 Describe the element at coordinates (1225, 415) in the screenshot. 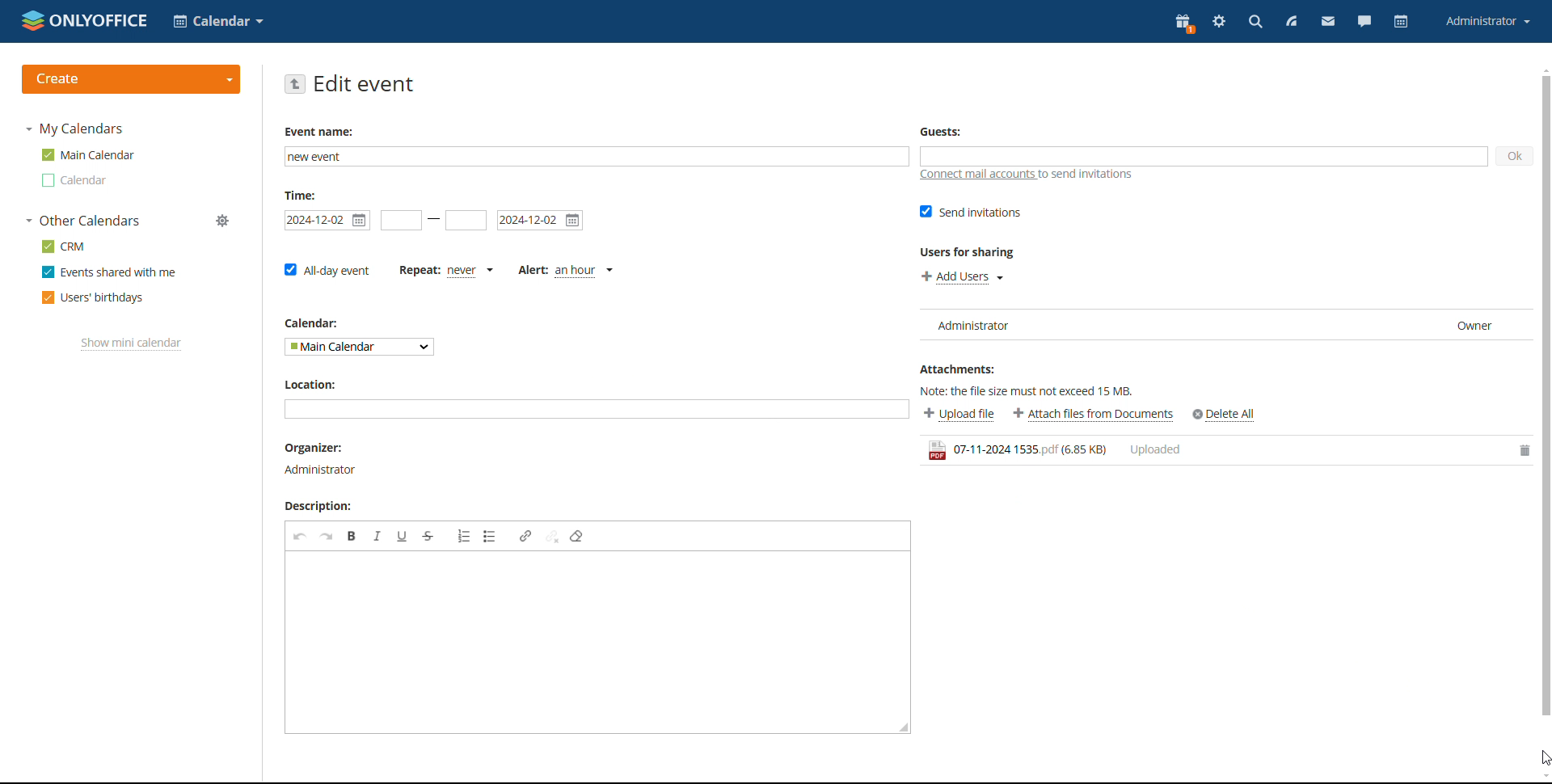

I see `` at that location.